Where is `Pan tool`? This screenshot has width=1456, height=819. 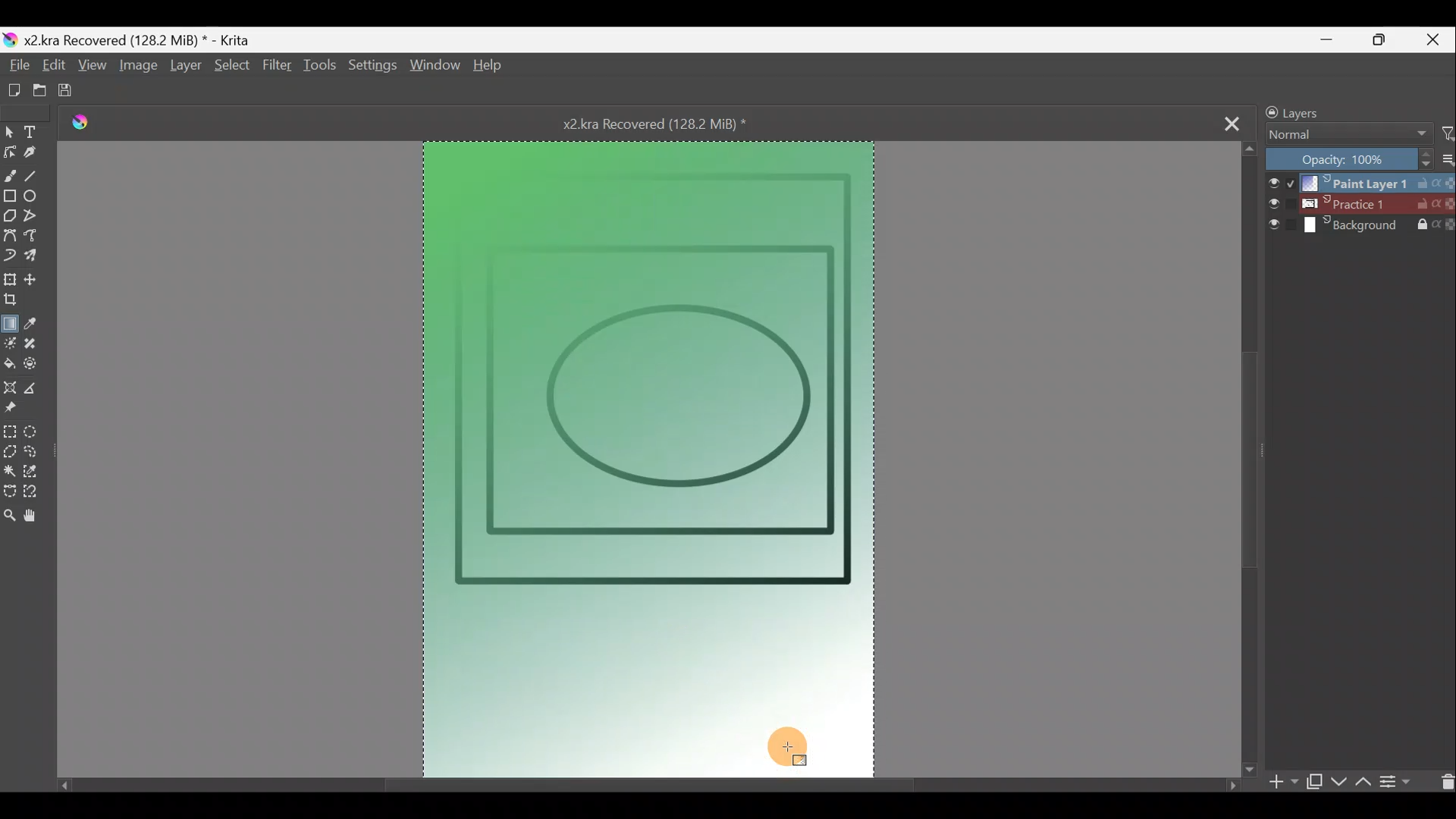 Pan tool is located at coordinates (35, 519).